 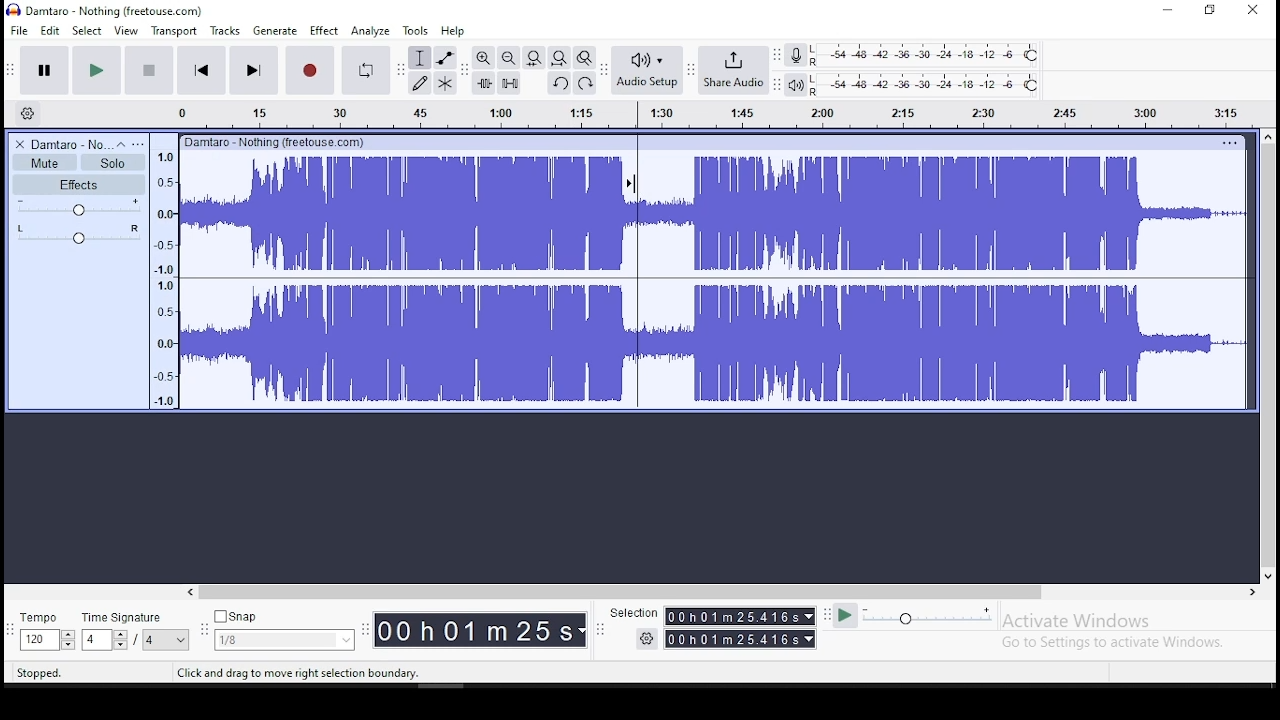 I want to click on stop, so click(x=148, y=69).